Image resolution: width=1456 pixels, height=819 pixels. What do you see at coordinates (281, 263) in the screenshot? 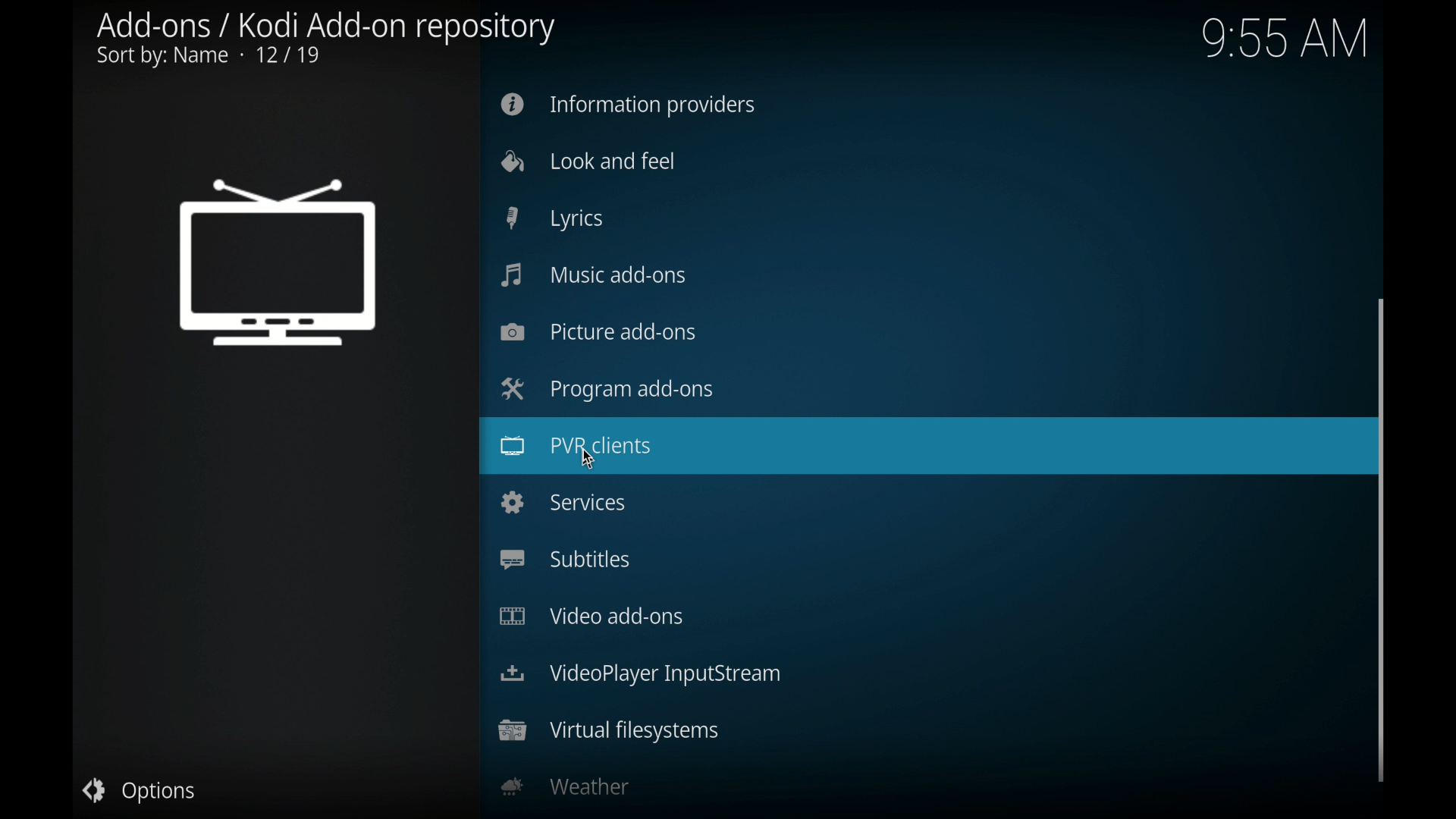
I see `live tv icon` at bounding box center [281, 263].